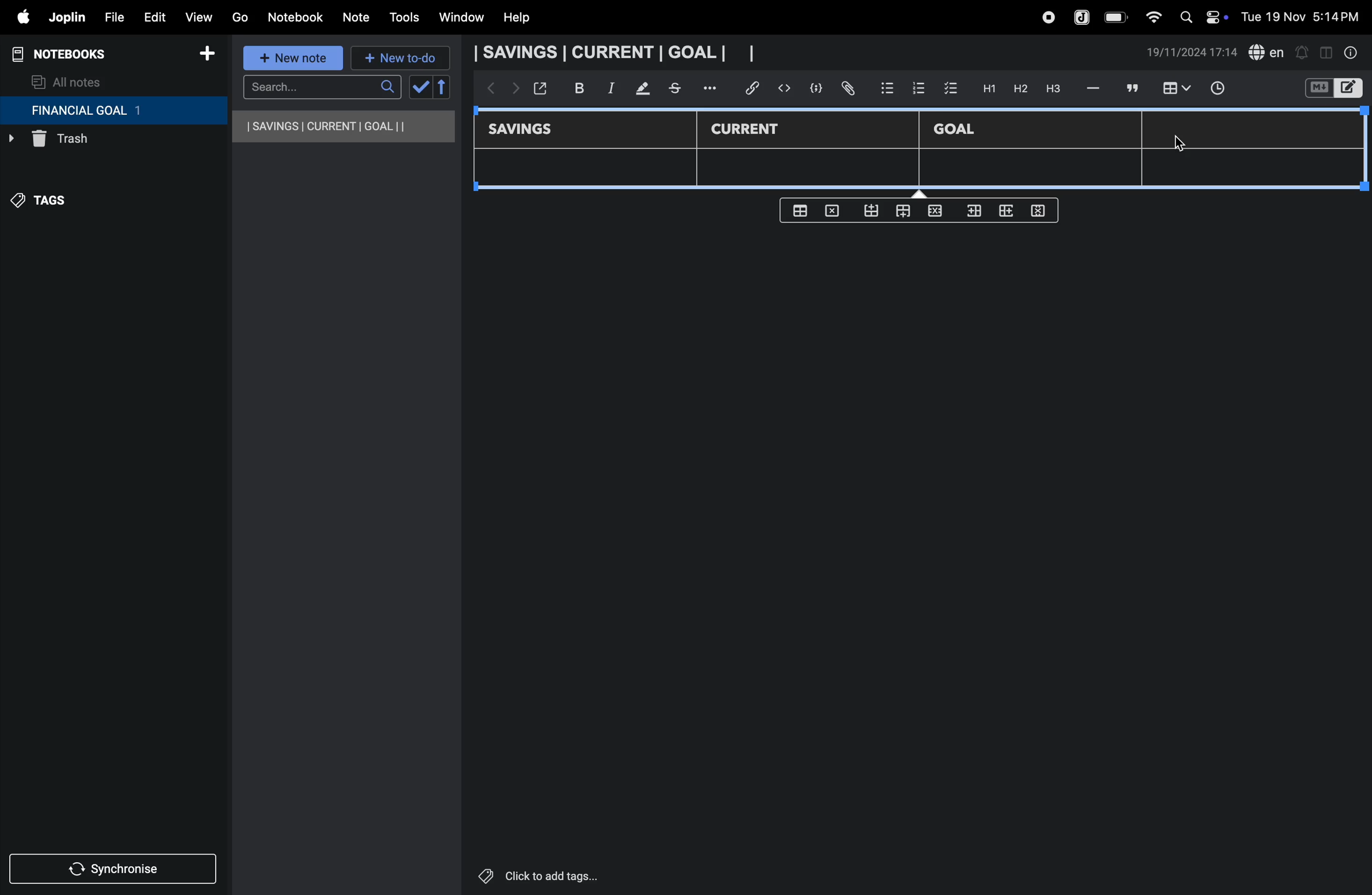 This screenshot has height=895, width=1372. I want to click on comment, so click(1130, 88).